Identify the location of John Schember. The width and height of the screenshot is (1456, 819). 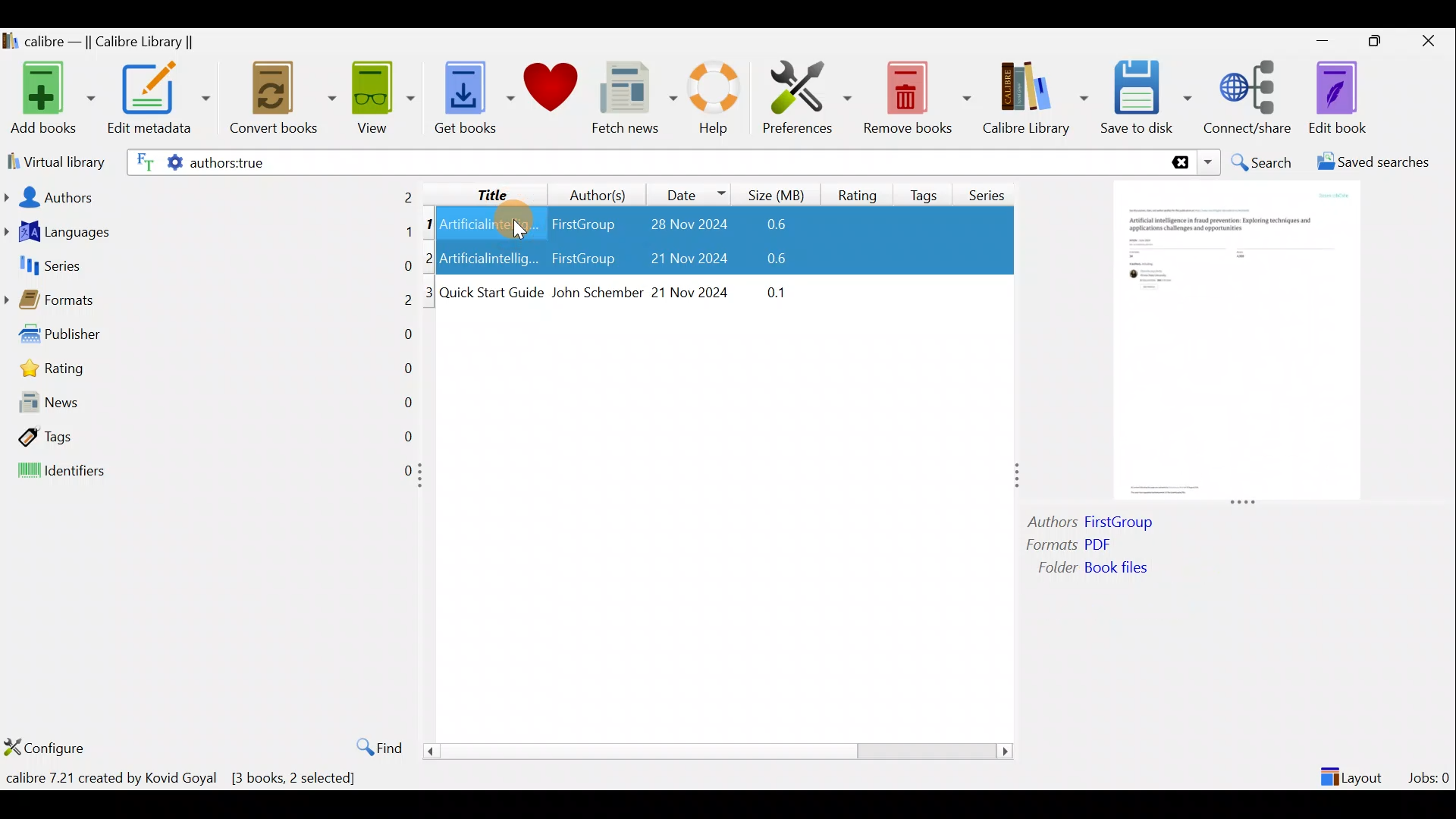
(596, 293).